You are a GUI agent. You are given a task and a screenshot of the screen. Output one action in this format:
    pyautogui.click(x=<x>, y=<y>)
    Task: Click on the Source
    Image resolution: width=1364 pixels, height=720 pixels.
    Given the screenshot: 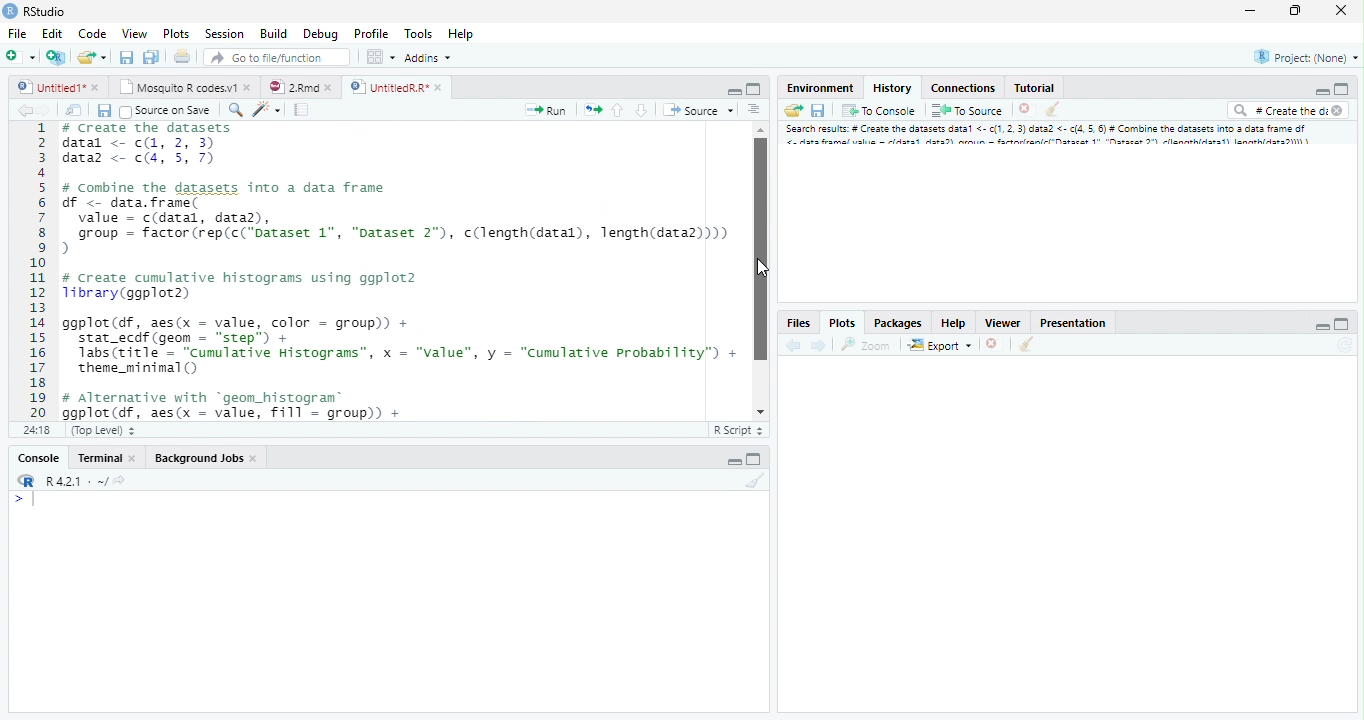 What is the action you would take?
    pyautogui.click(x=698, y=112)
    